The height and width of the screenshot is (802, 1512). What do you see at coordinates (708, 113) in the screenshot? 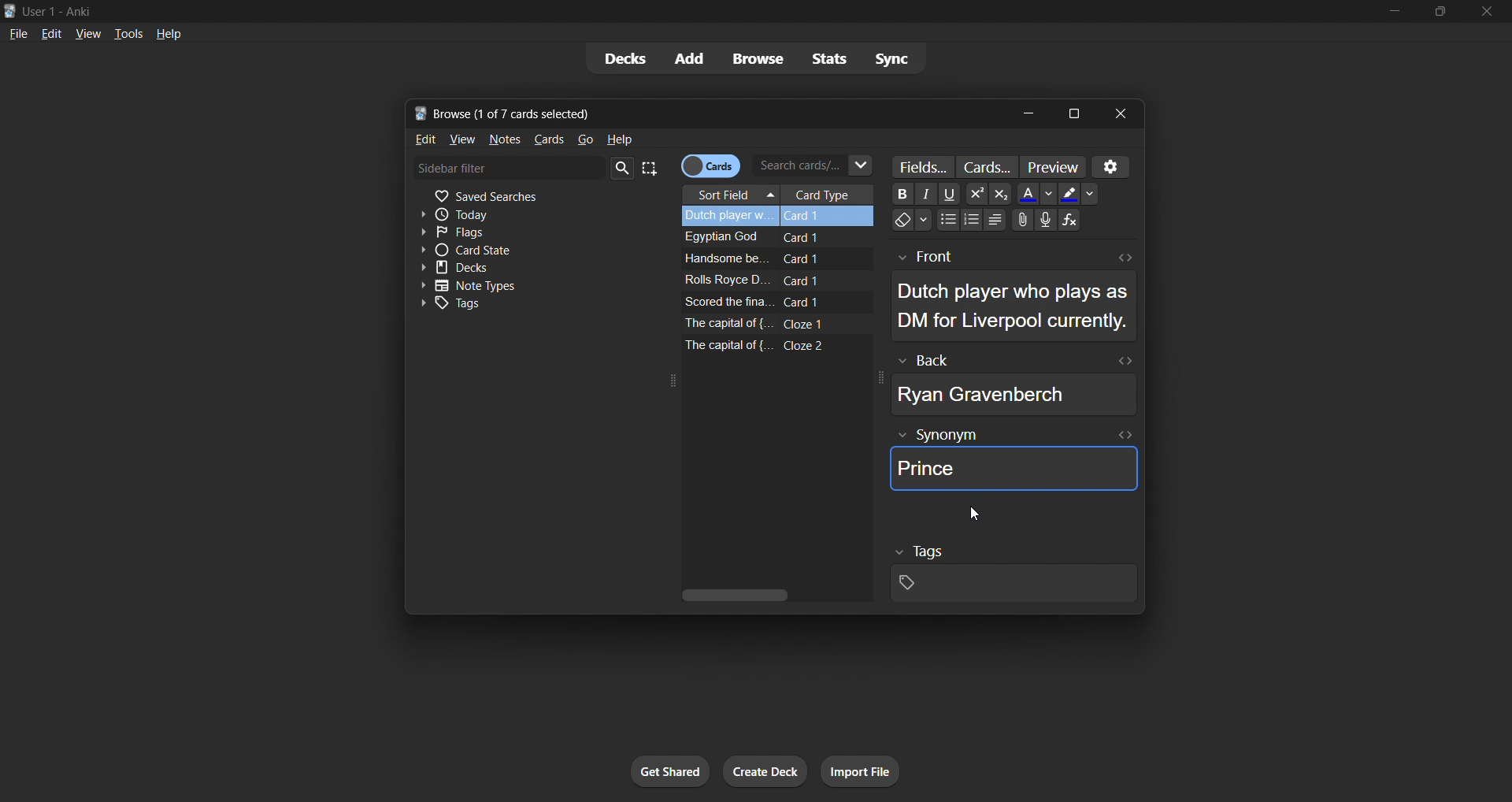
I see `title bar` at bounding box center [708, 113].